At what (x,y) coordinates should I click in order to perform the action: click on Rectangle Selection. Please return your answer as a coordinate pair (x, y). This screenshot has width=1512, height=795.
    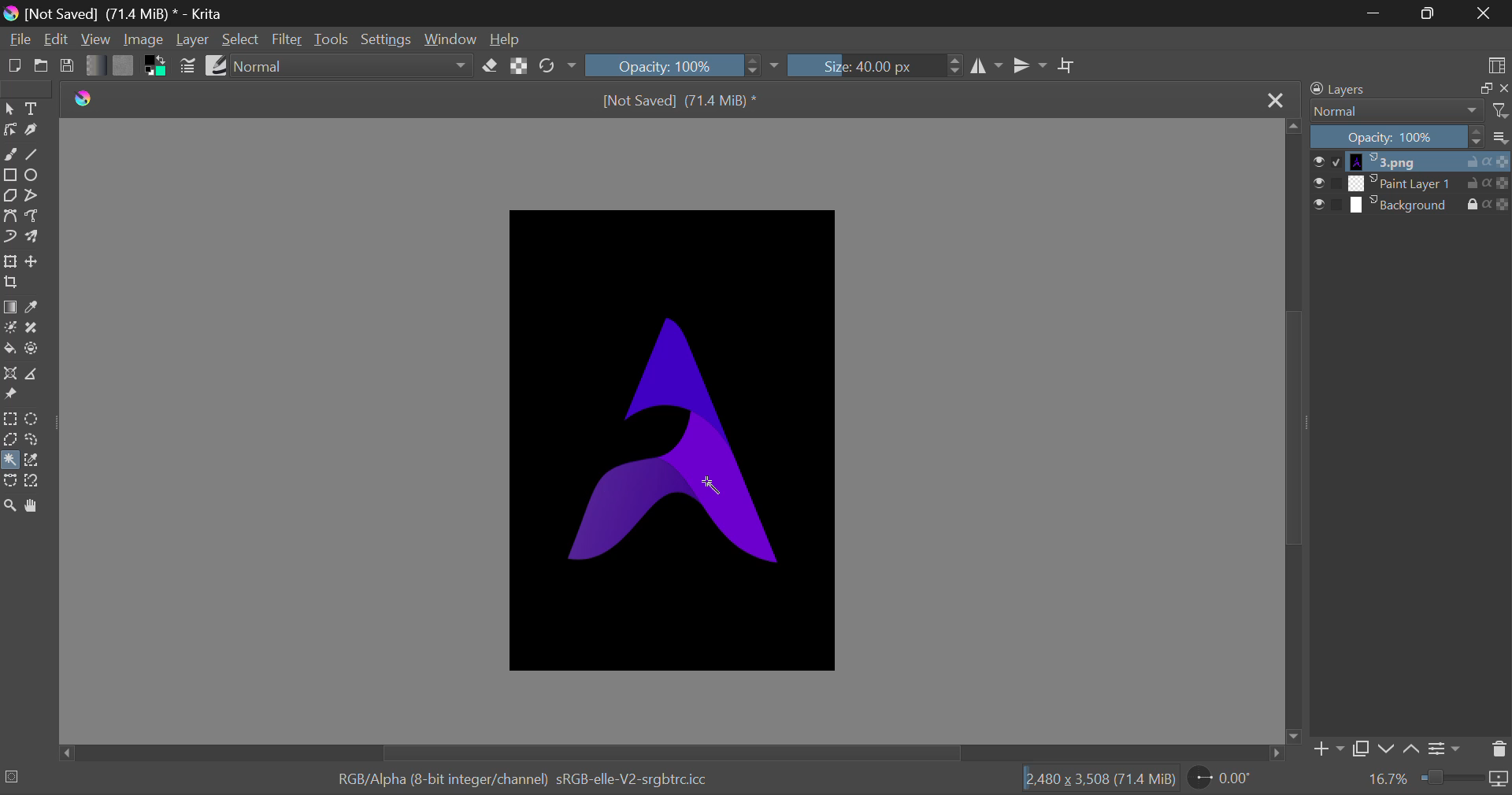
    Looking at the image, I should click on (13, 420).